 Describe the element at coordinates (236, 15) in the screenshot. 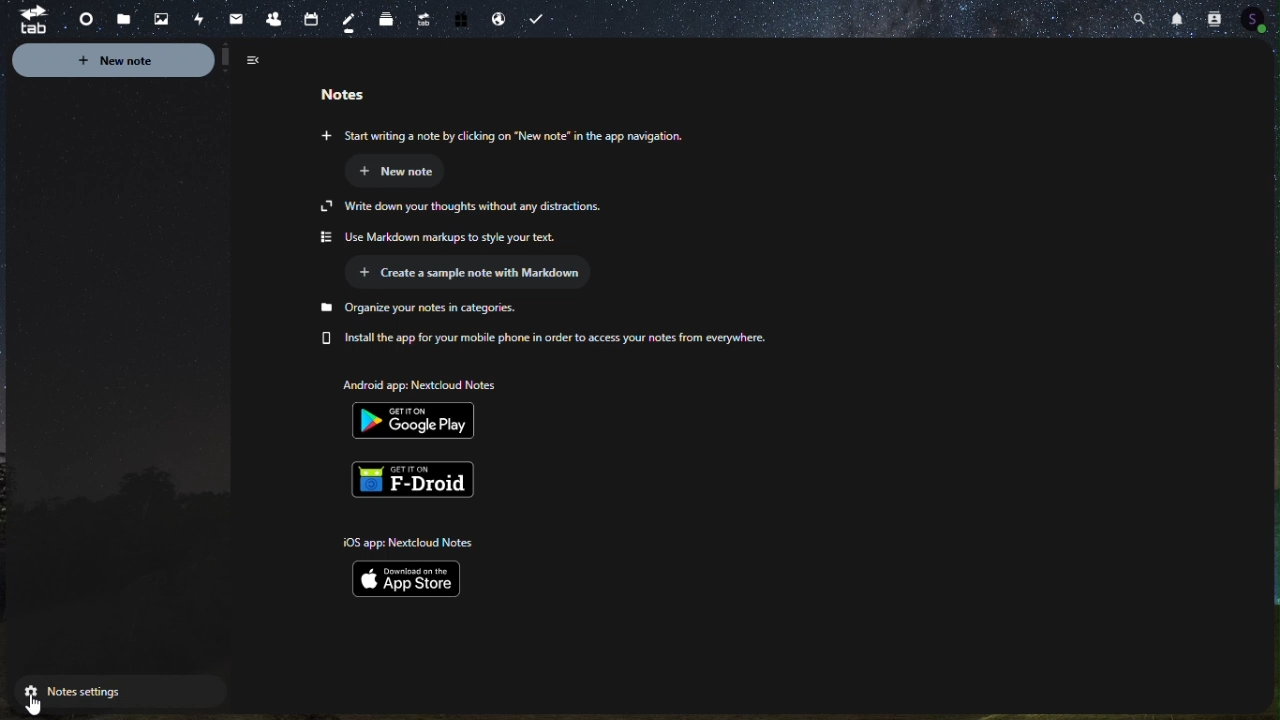

I see `mail` at that location.